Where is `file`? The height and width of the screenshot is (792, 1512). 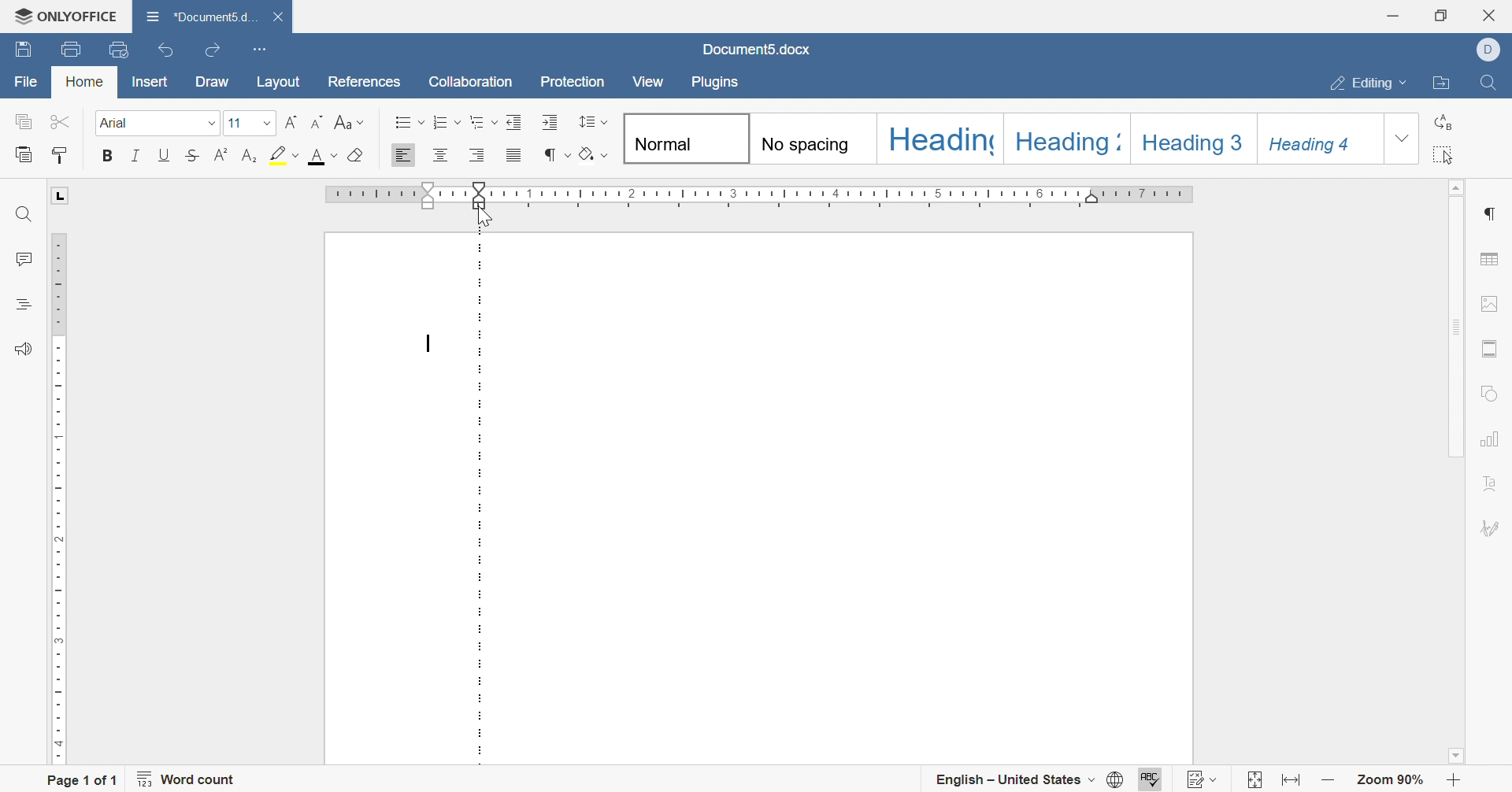 file is located at coordinates (28, 83).